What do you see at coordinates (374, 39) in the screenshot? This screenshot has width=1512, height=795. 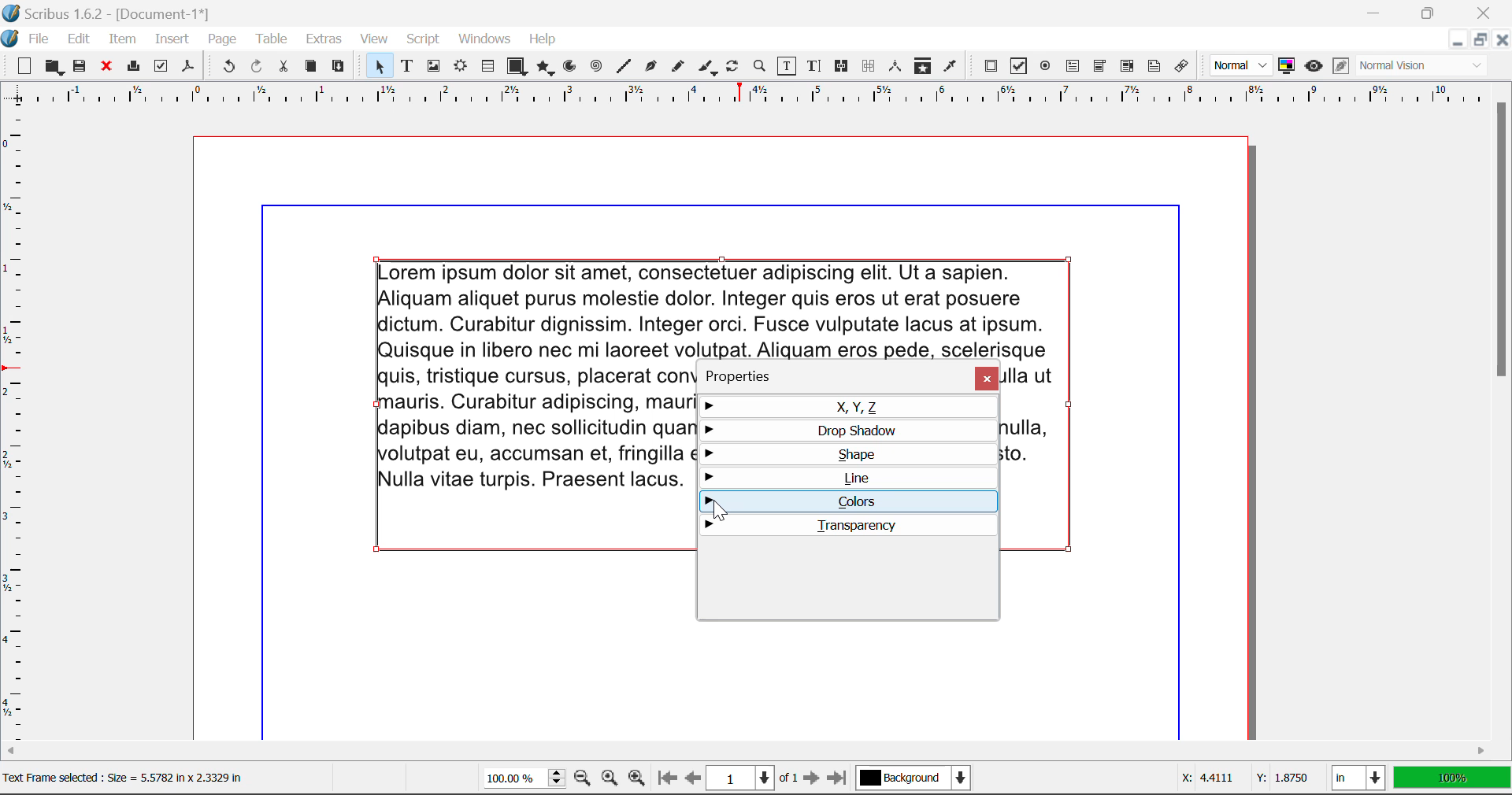 I see `View` at bounding box center [374, 39].